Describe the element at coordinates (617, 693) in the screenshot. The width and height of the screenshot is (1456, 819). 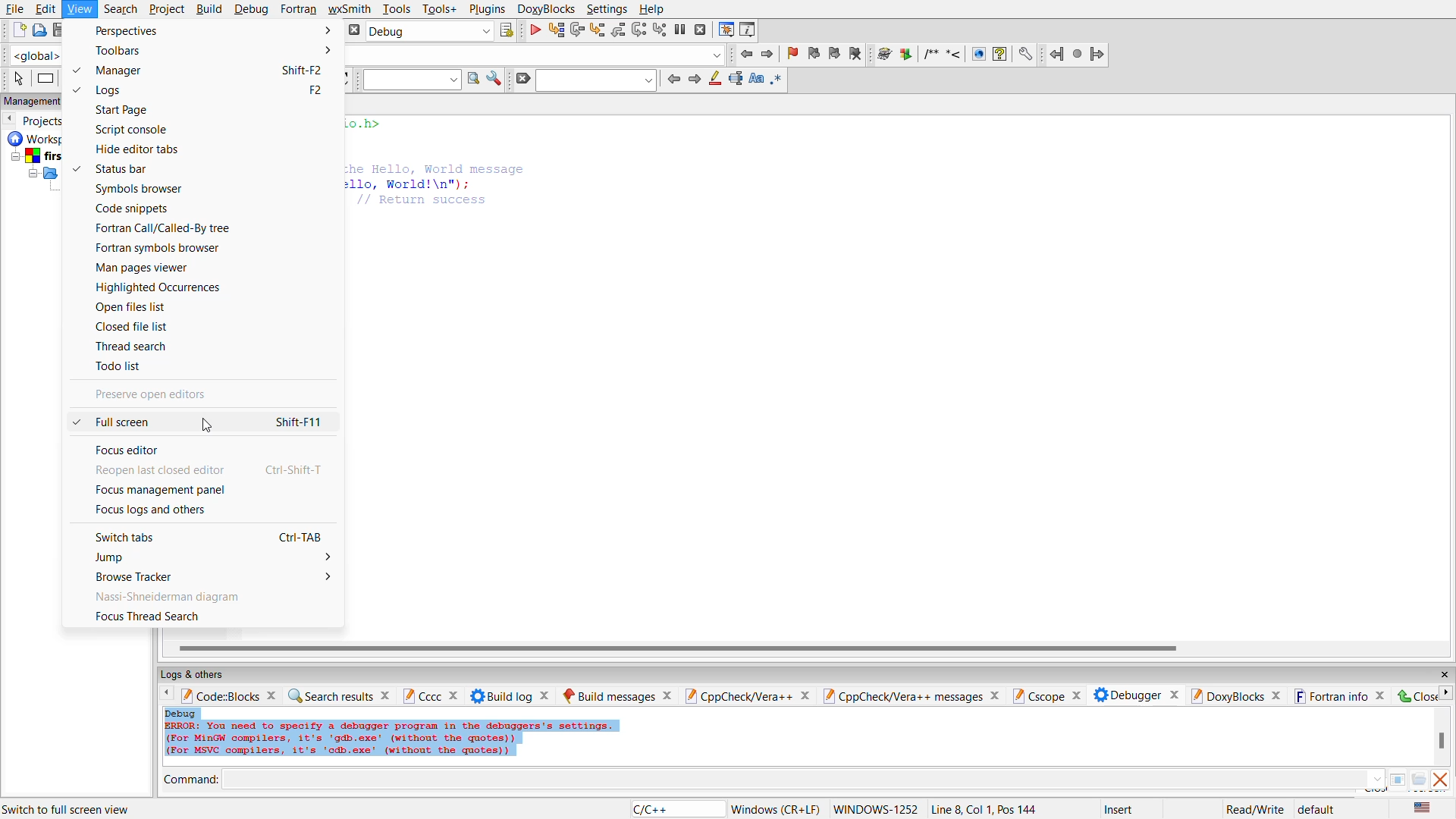
I see `build messages` at that location.